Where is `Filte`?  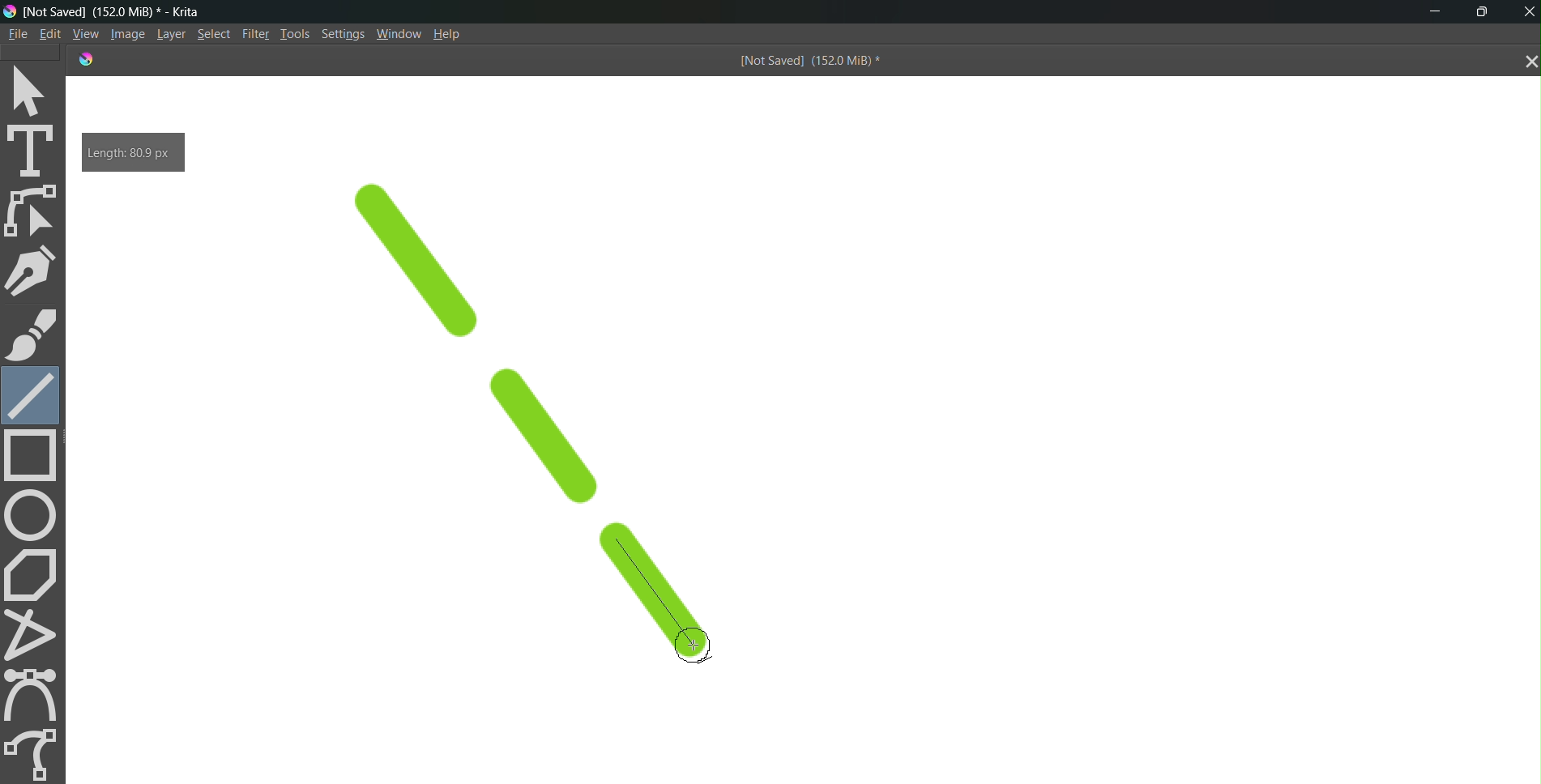 Filte is located at coordinates (252, 32).